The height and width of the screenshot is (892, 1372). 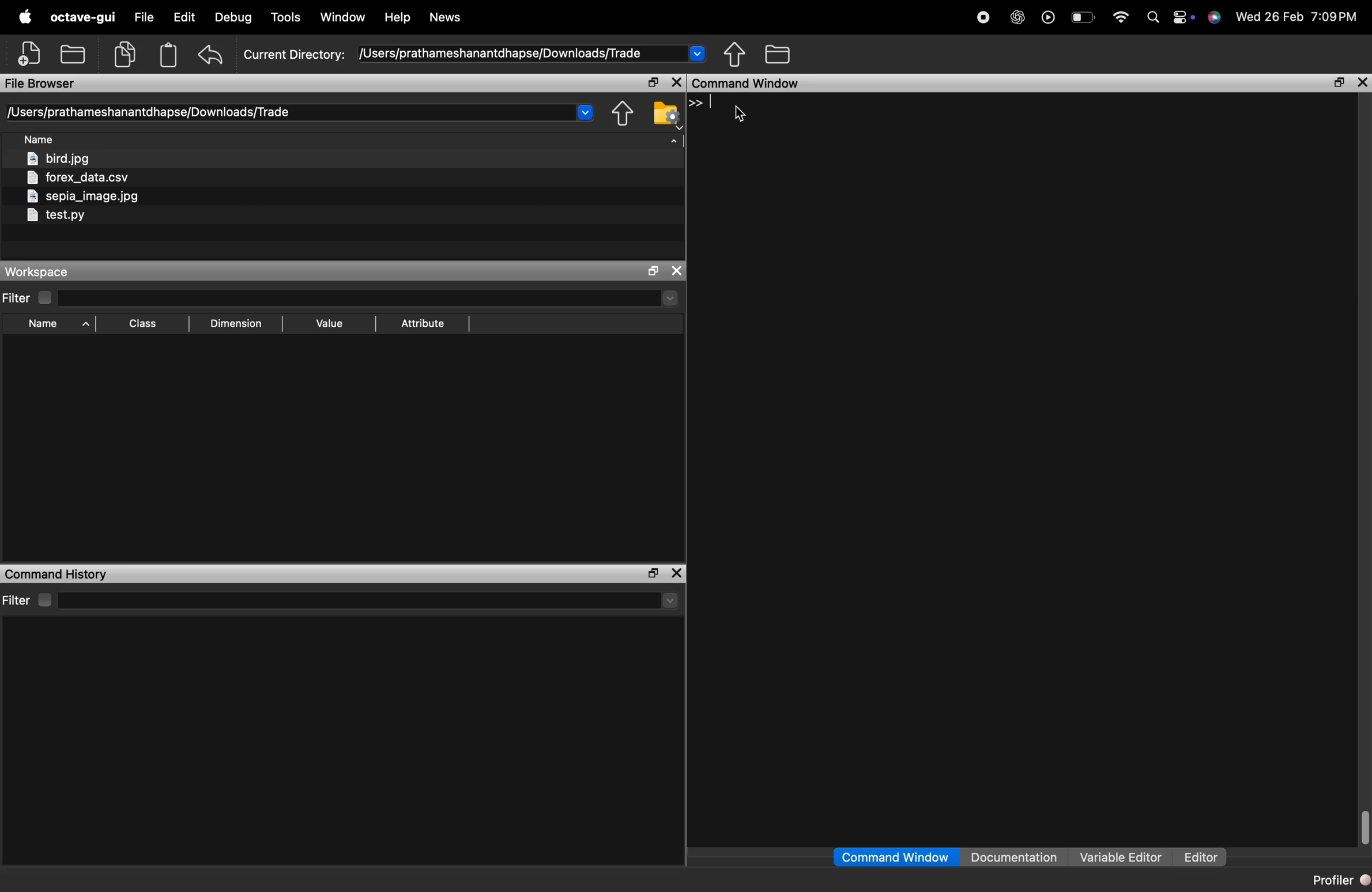 I want to click on action center, so click(x=1186, y=19).